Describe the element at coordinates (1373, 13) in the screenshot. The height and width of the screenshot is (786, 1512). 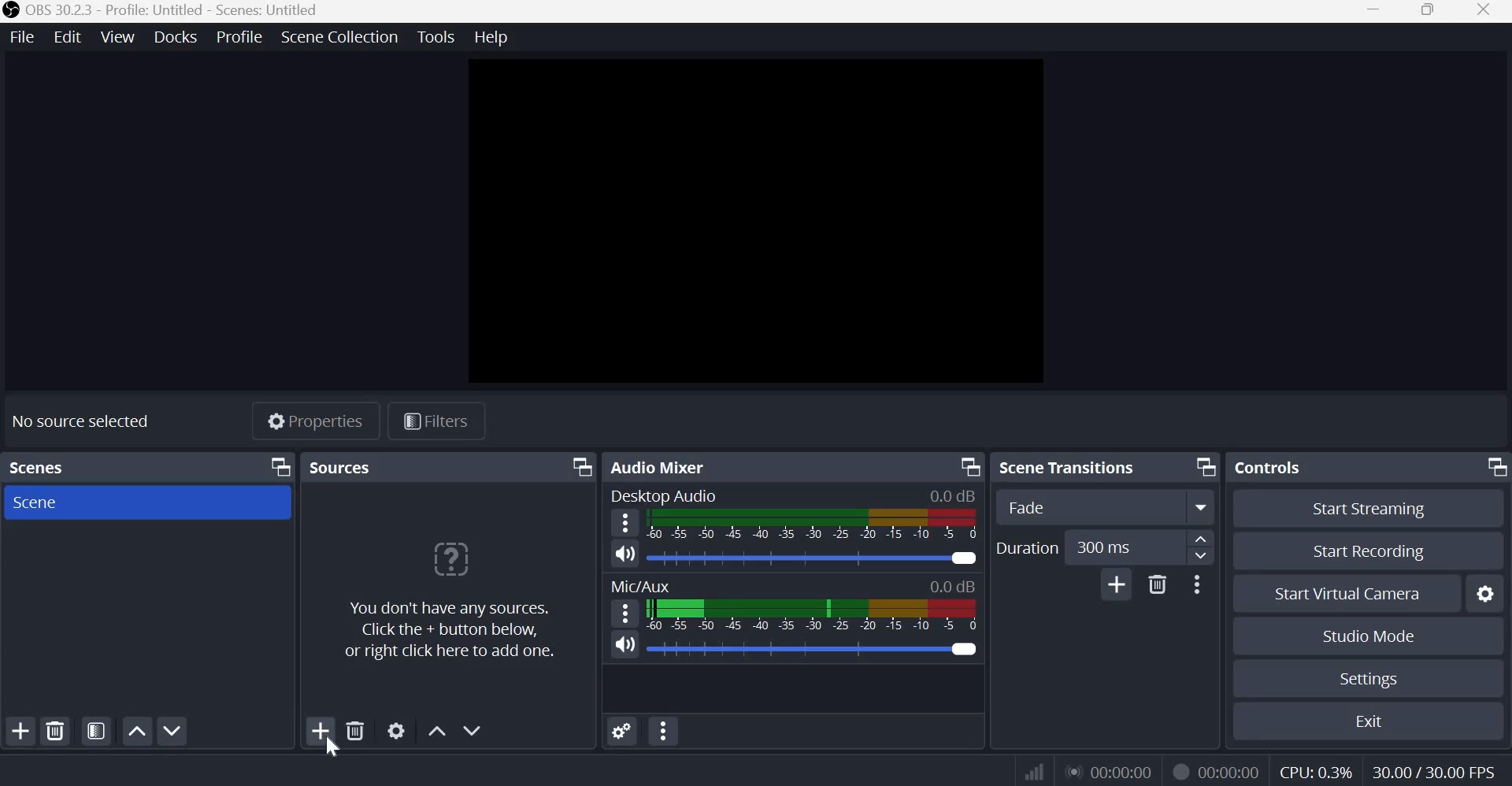
I see `Minimize` at that location.